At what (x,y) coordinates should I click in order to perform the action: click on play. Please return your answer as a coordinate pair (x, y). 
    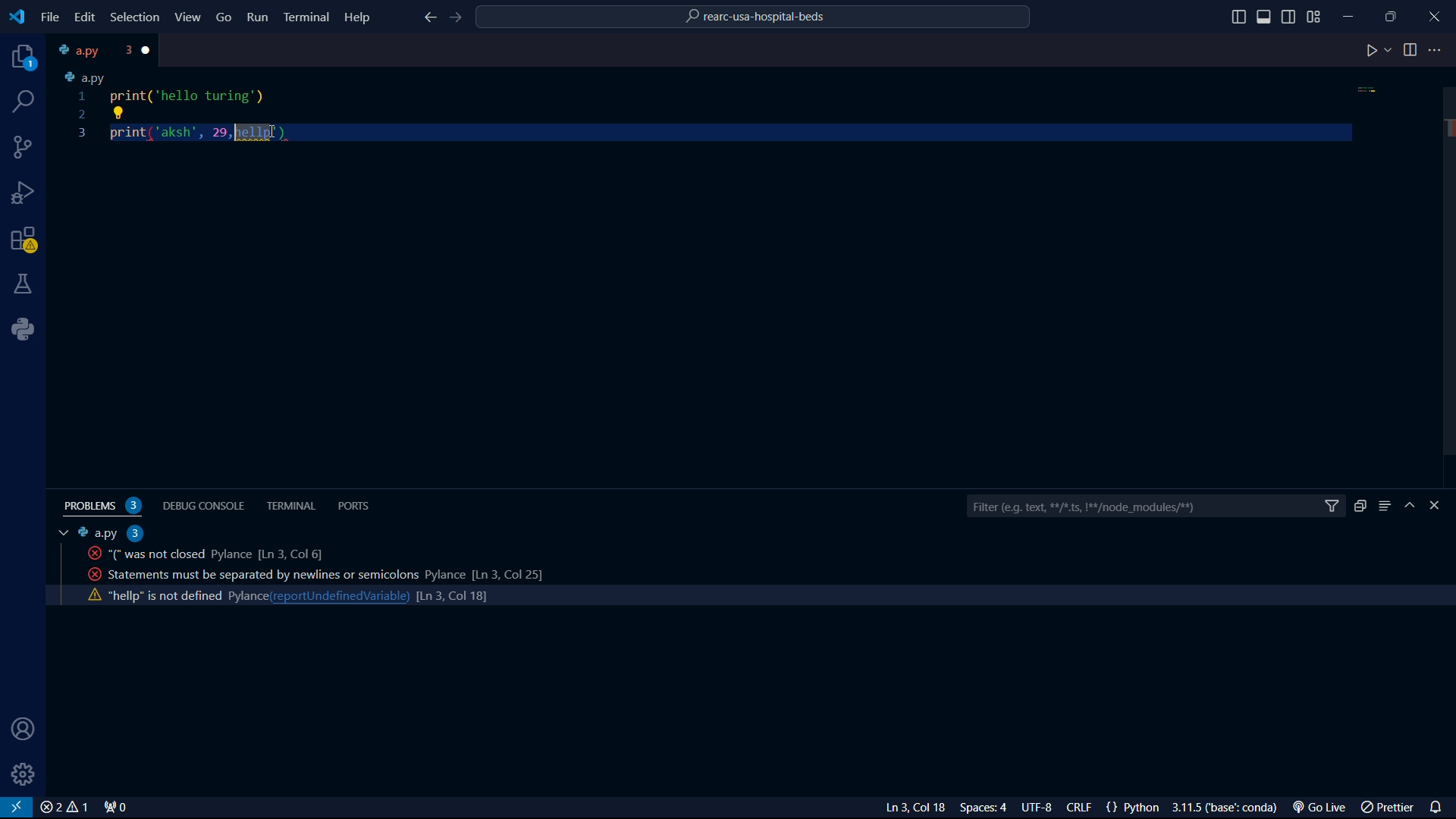
    Looking at the image, I should click on (1378, 52).